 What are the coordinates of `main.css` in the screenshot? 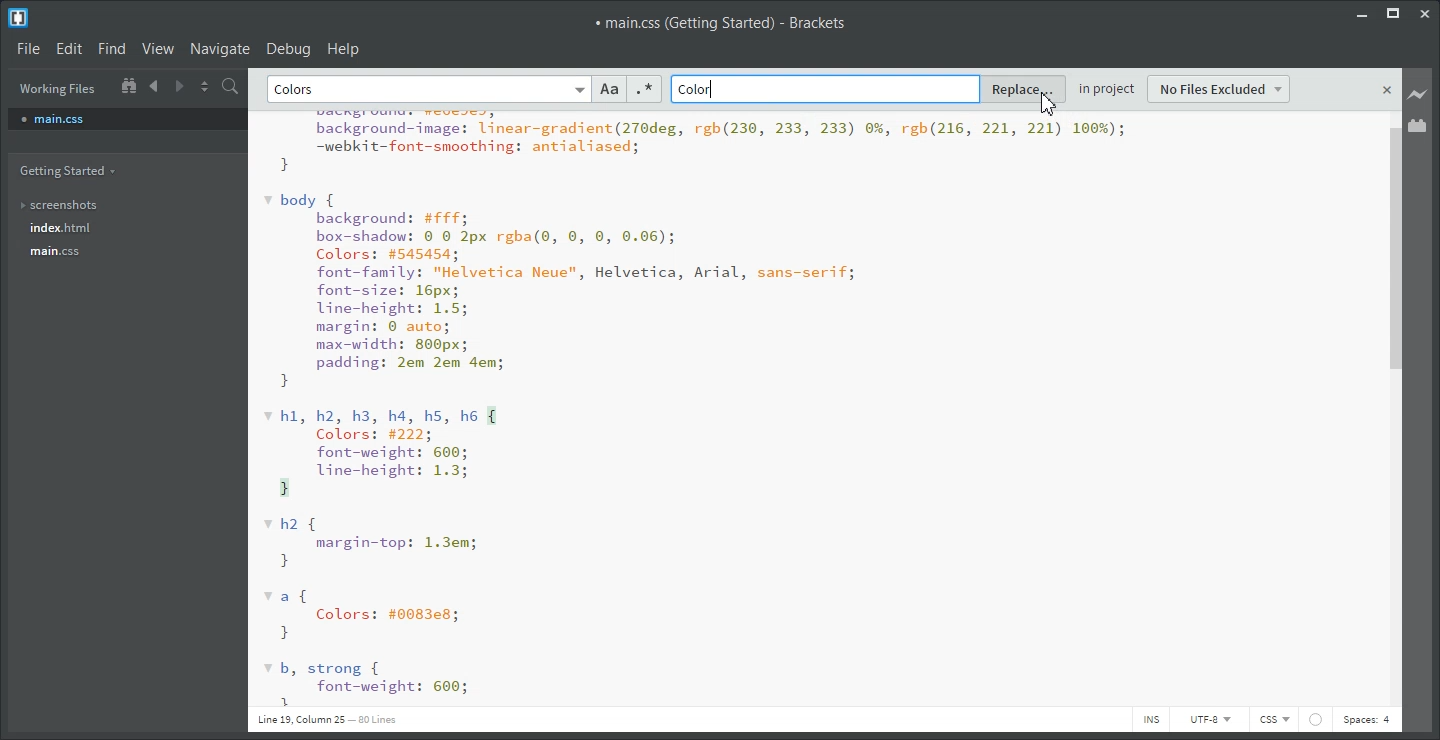 It's located at (127, 118).